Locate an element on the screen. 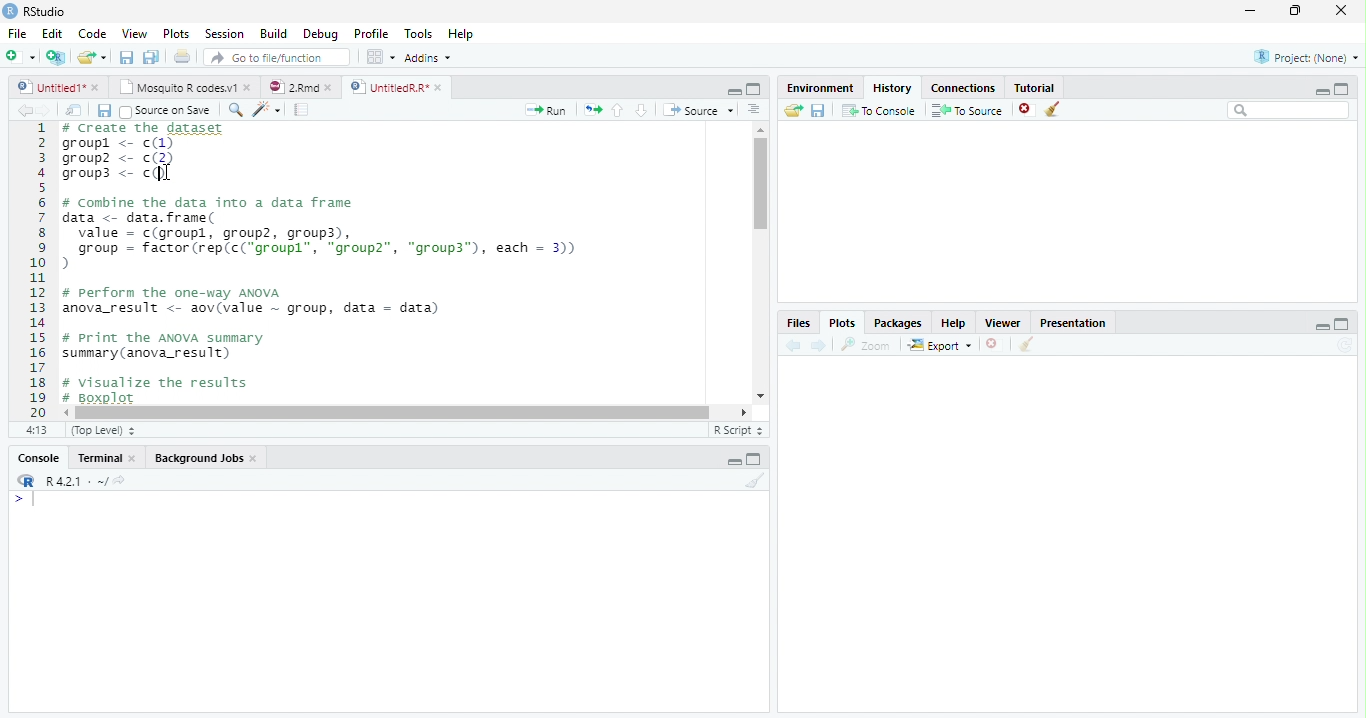  Console is located at coordinates (38, 460).